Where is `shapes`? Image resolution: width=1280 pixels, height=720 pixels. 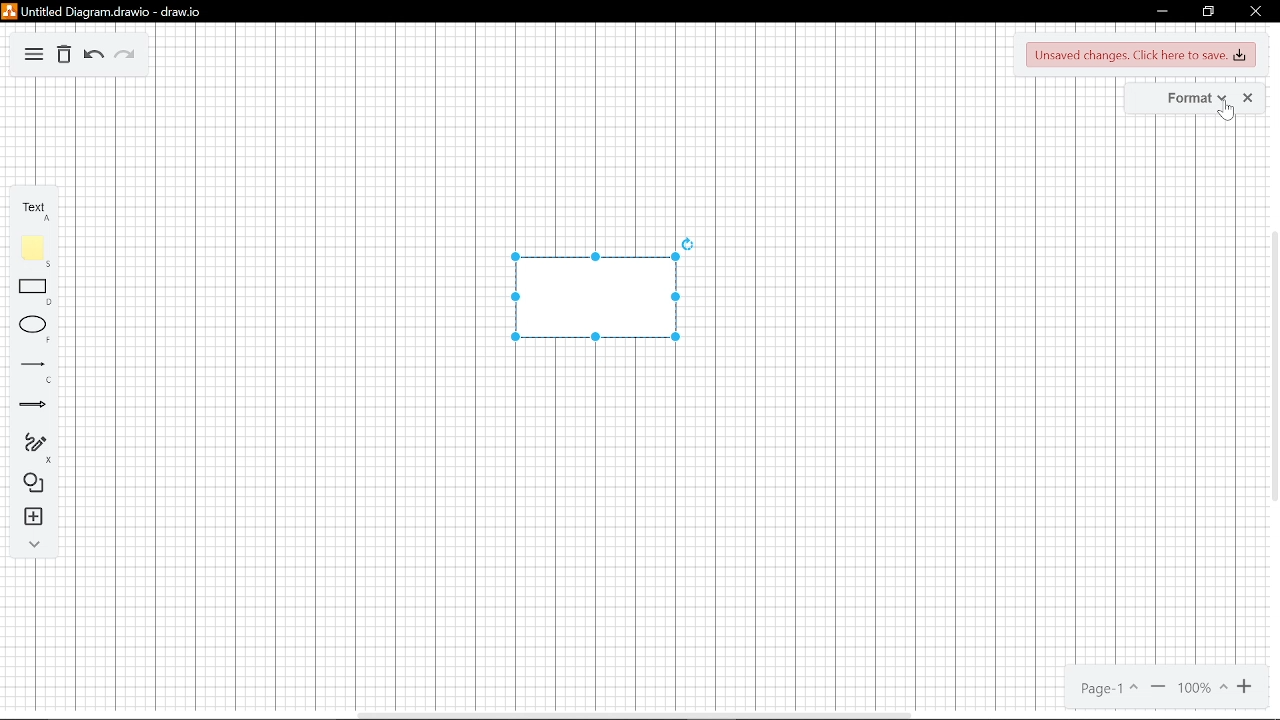
shapes is located at coordinates (31, 483).